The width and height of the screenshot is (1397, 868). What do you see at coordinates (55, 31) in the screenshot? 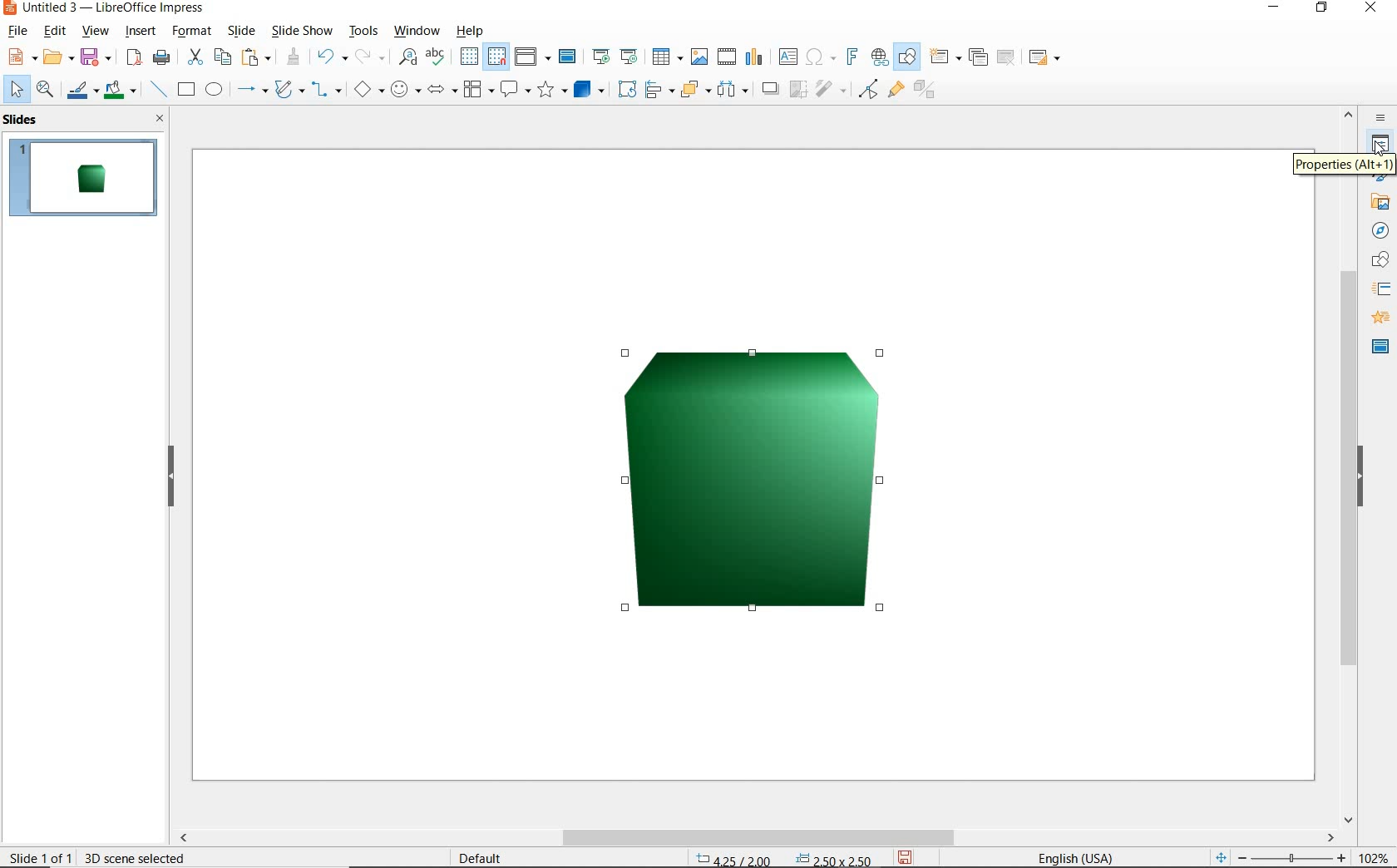
I see `edit` at bounding box center [55, 31].